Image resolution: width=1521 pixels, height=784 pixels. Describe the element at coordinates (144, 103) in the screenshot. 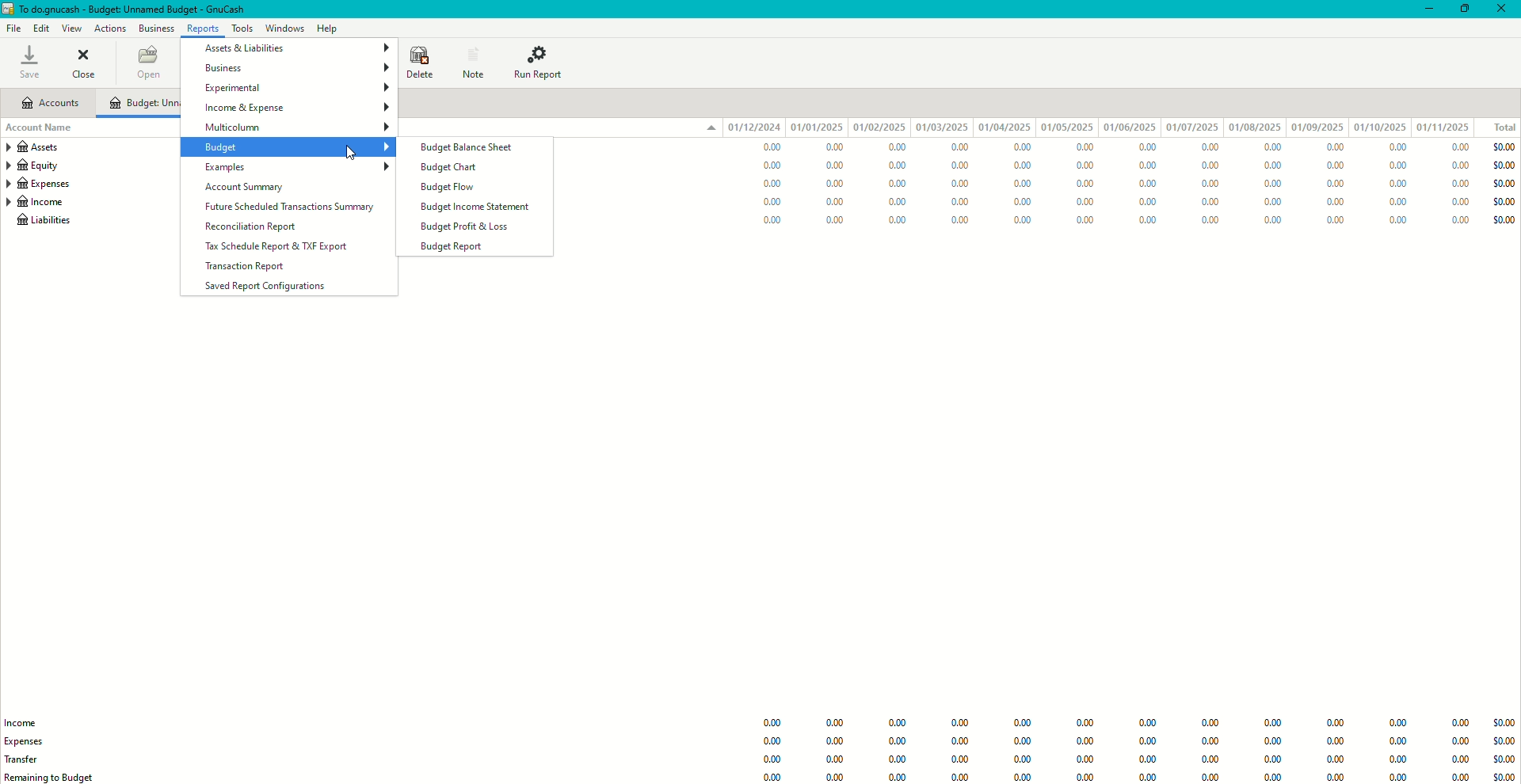

I see `Unnamed Budget` at that location.